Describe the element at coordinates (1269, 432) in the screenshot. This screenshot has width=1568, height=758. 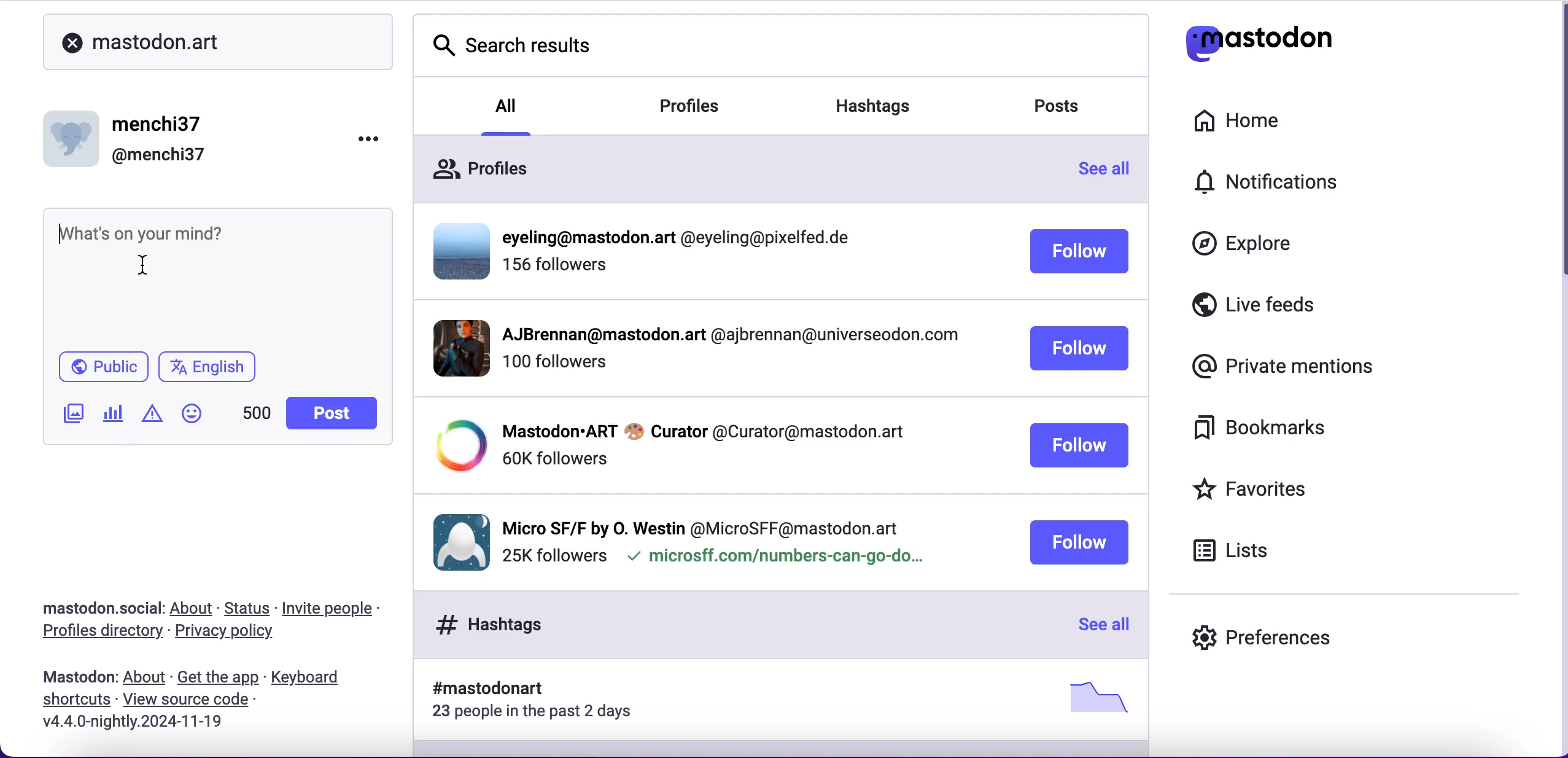
I see `bookmarks` at that location.